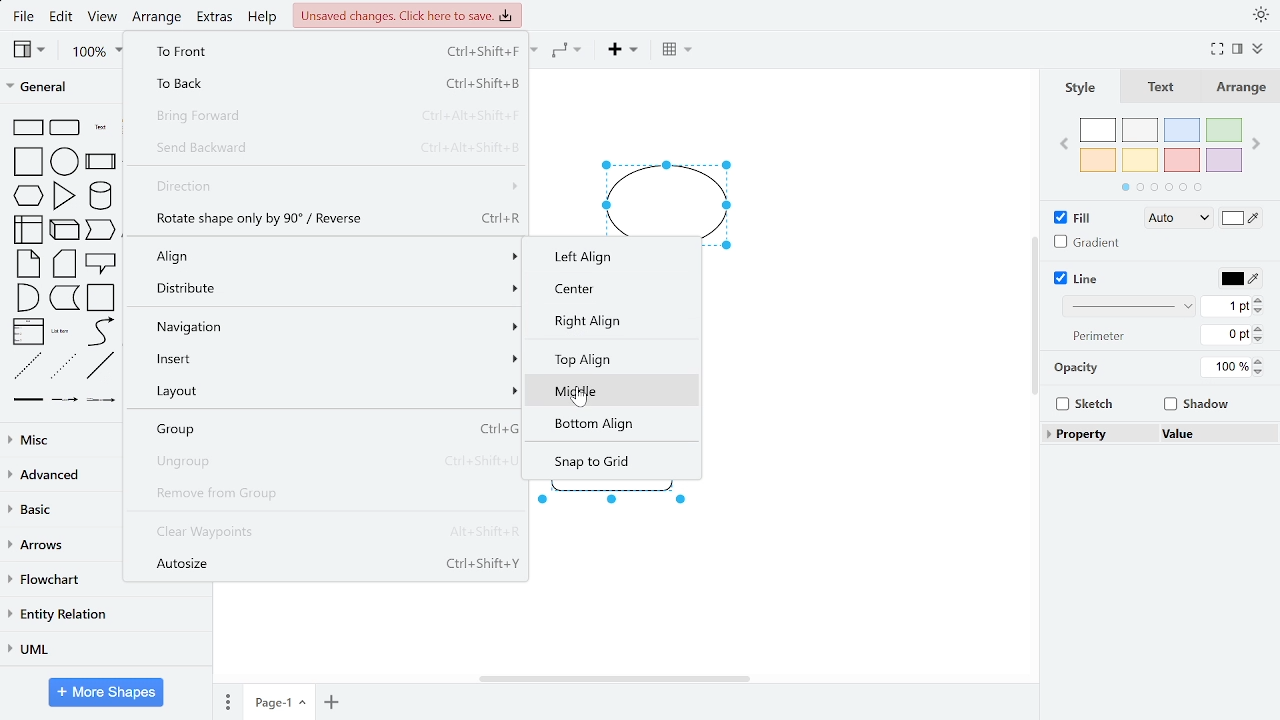 The image size is (1280, 720). Describe the element at coordinates (29, 403) in the screenshot. I see `link` at that location.